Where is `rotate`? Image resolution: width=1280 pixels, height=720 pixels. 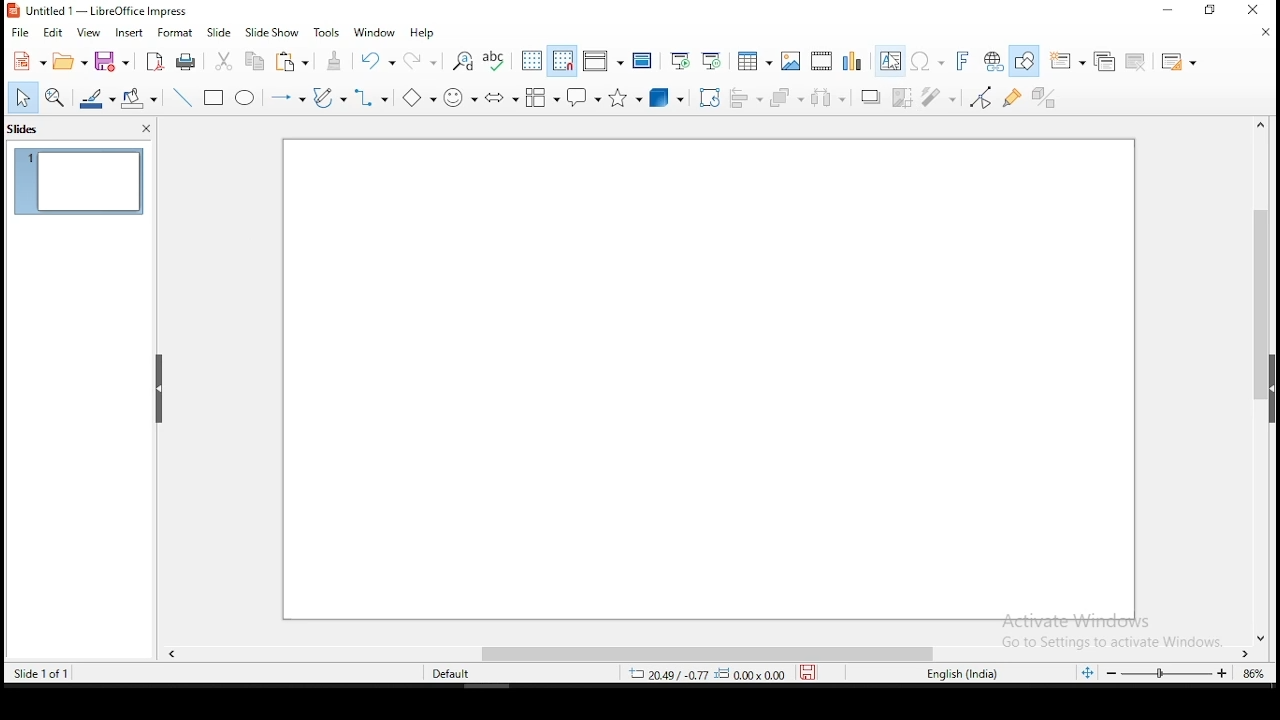 rotate is located at coordinates (712, 100).